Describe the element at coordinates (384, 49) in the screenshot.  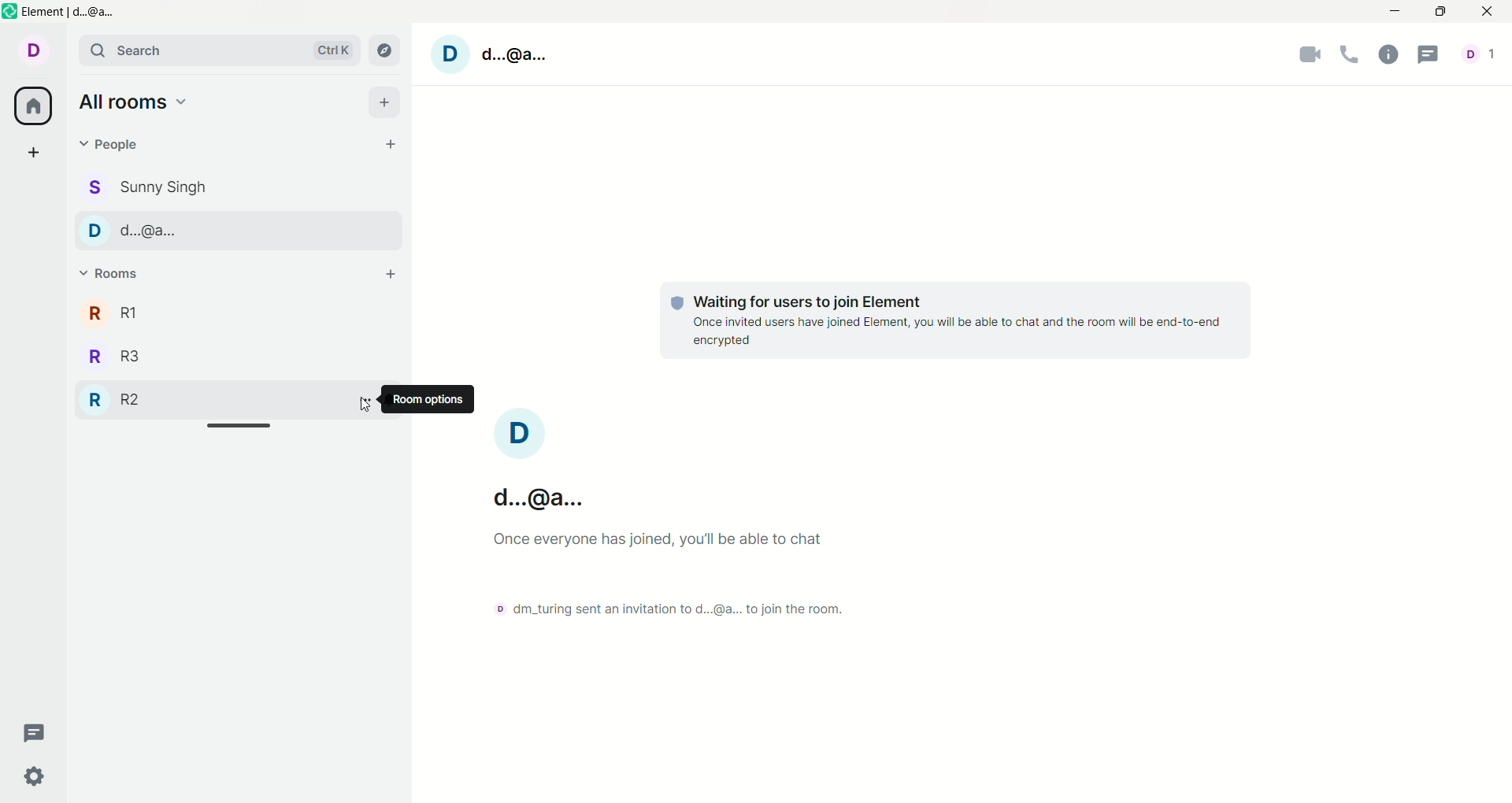
I see `explore room` at that location.